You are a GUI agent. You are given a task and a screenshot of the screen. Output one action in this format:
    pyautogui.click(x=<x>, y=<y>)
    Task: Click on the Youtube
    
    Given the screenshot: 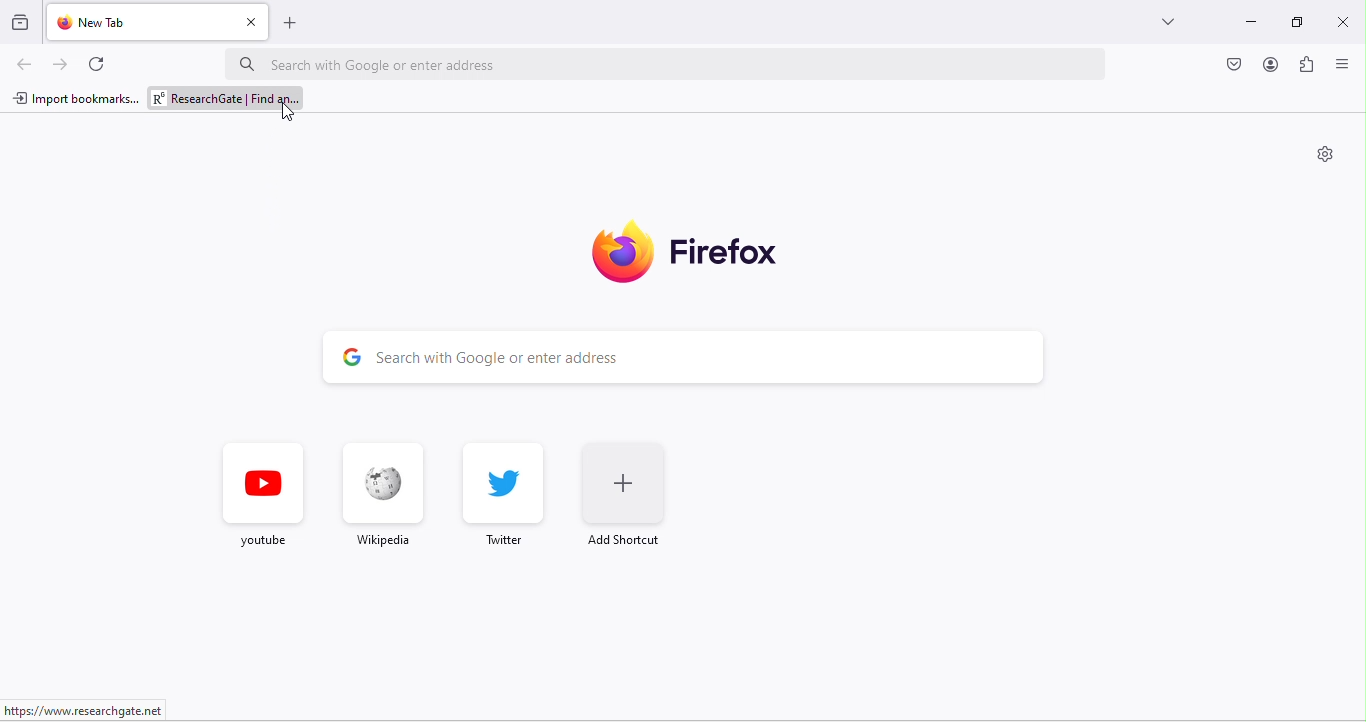 What is the action you would take?
    pyautogui.click(x=263, y=496)
    